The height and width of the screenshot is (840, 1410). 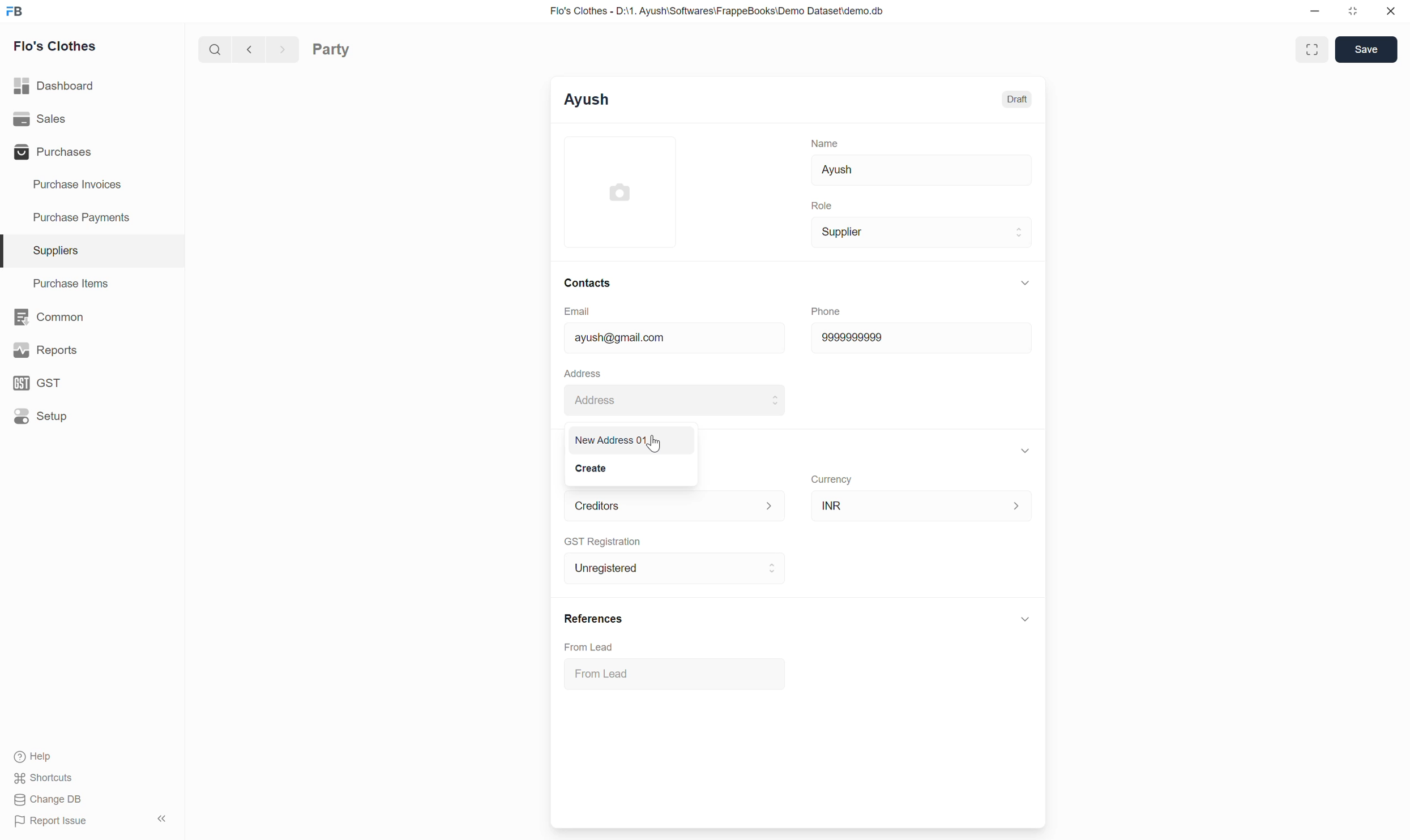 What do you see at coordinates (92, 350) in the screenshot?
I see `Reports` at bounding box center [92, 350].